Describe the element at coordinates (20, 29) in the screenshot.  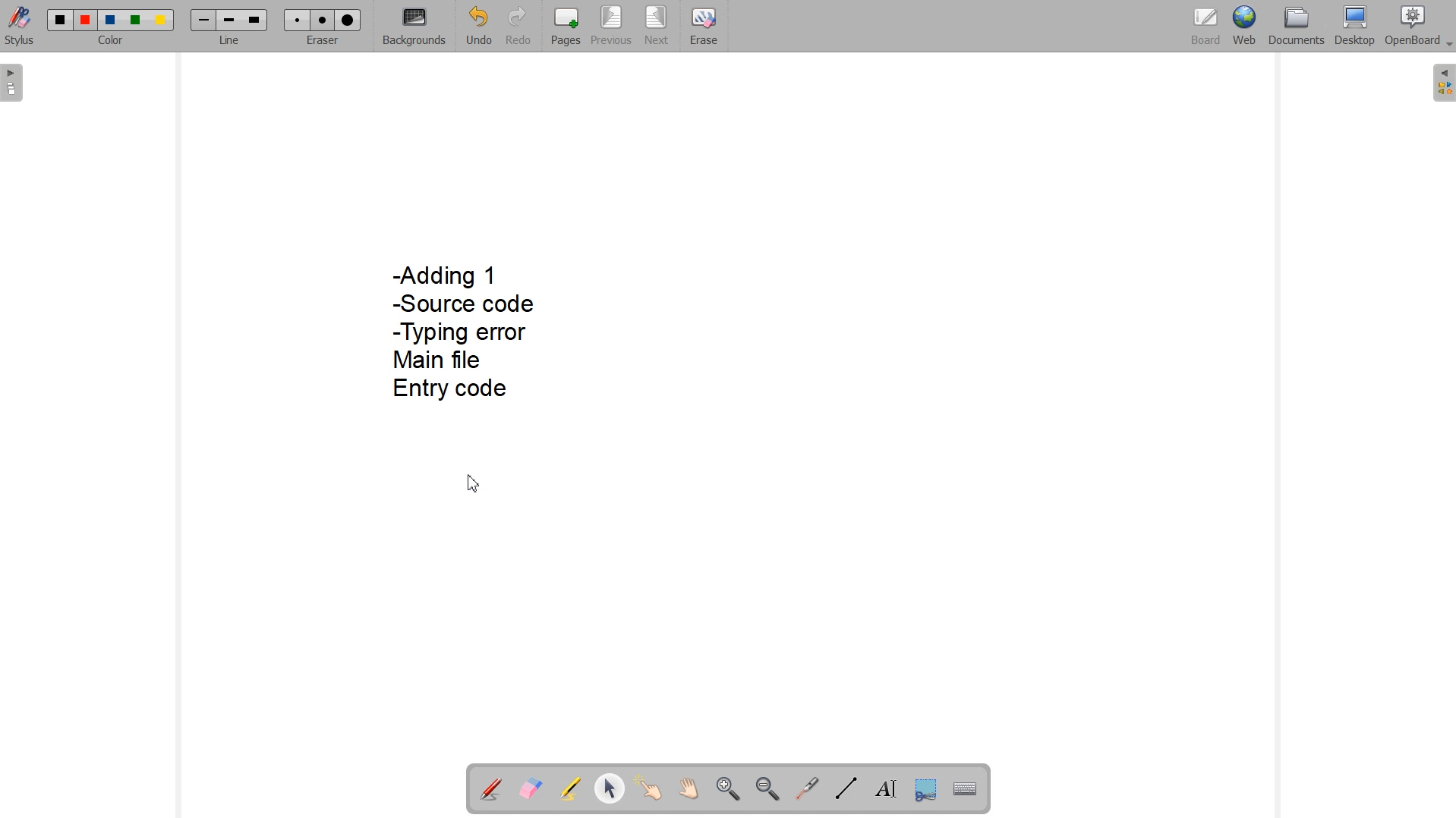
I see `Stylus` at that location.